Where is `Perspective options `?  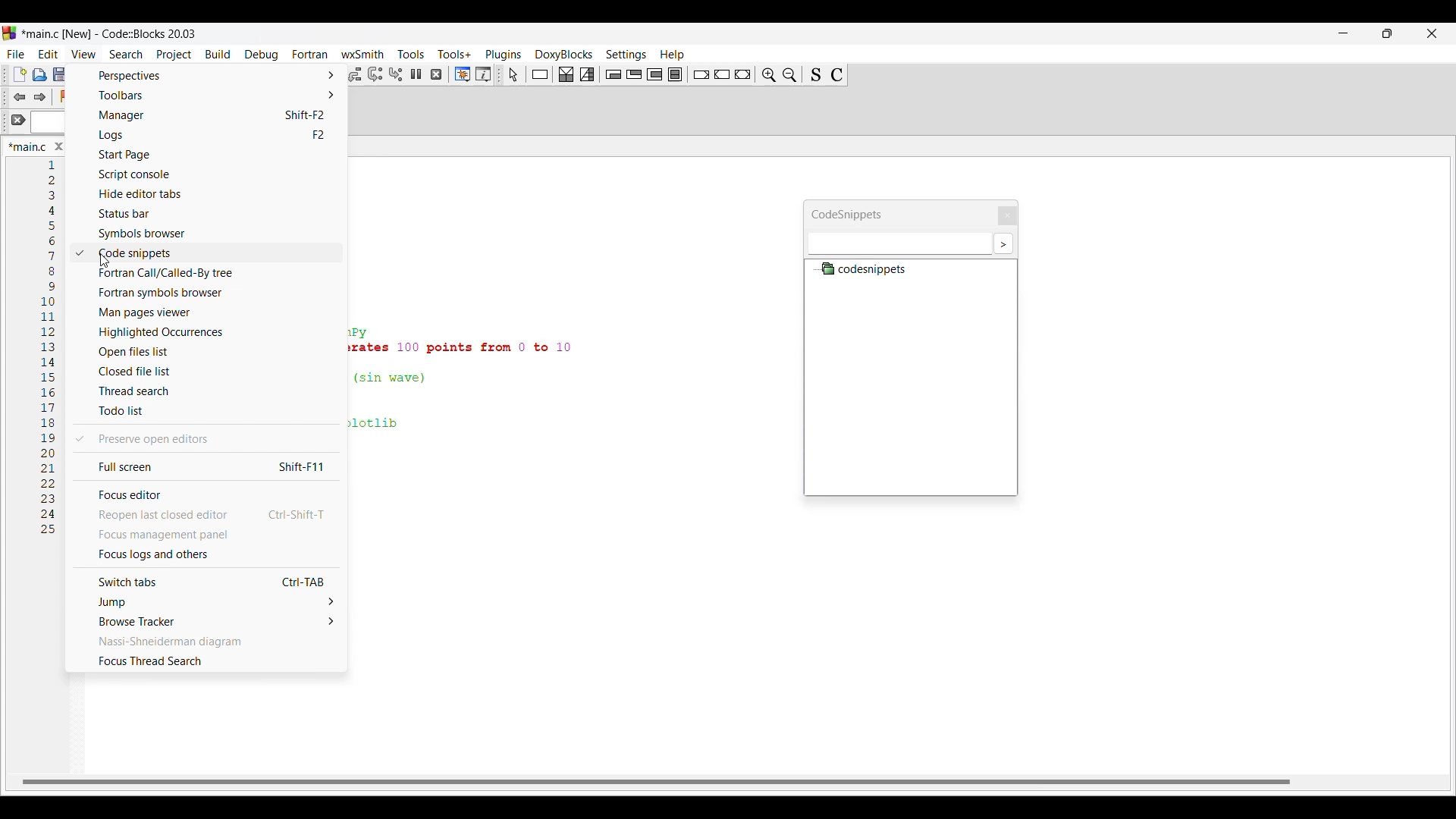
Perspective options  is located at coordinates (206, 76).